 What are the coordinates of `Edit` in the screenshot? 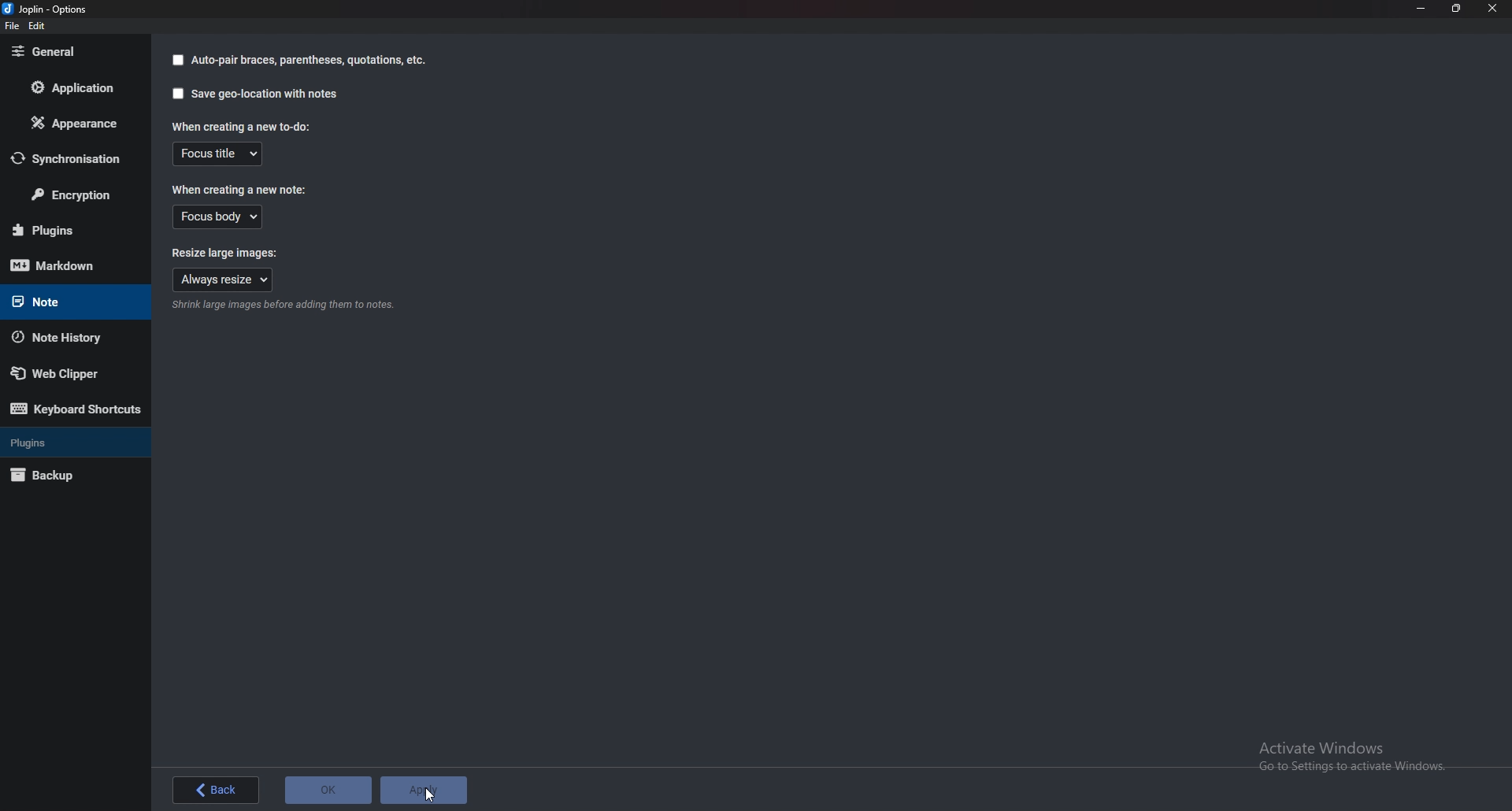 It's located at (37, 26).